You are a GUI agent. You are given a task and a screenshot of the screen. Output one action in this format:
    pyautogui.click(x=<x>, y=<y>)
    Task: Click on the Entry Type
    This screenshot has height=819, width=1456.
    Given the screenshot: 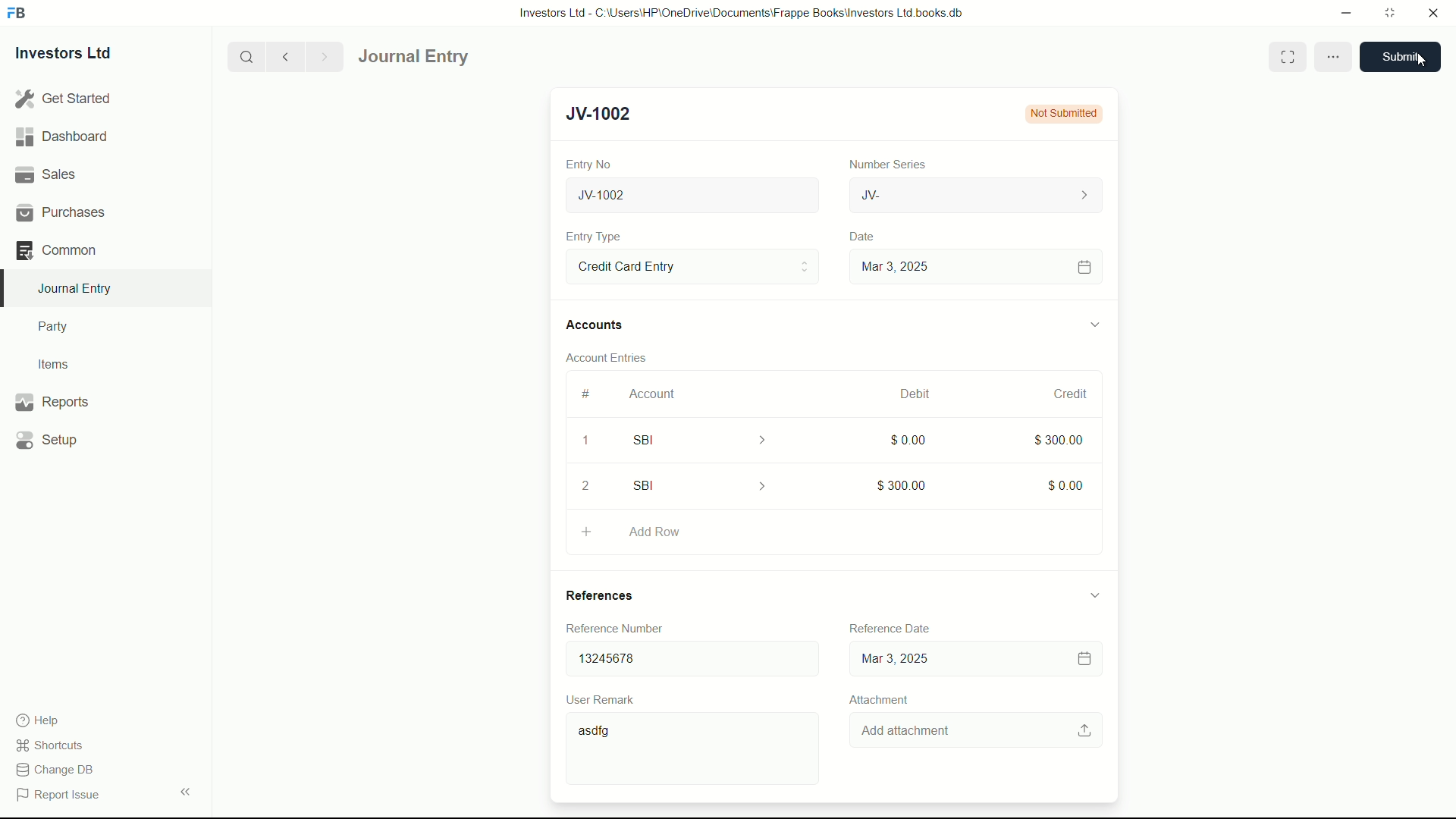 What is the action you would take?
    pyautogui.click(x=594, y=237)
    